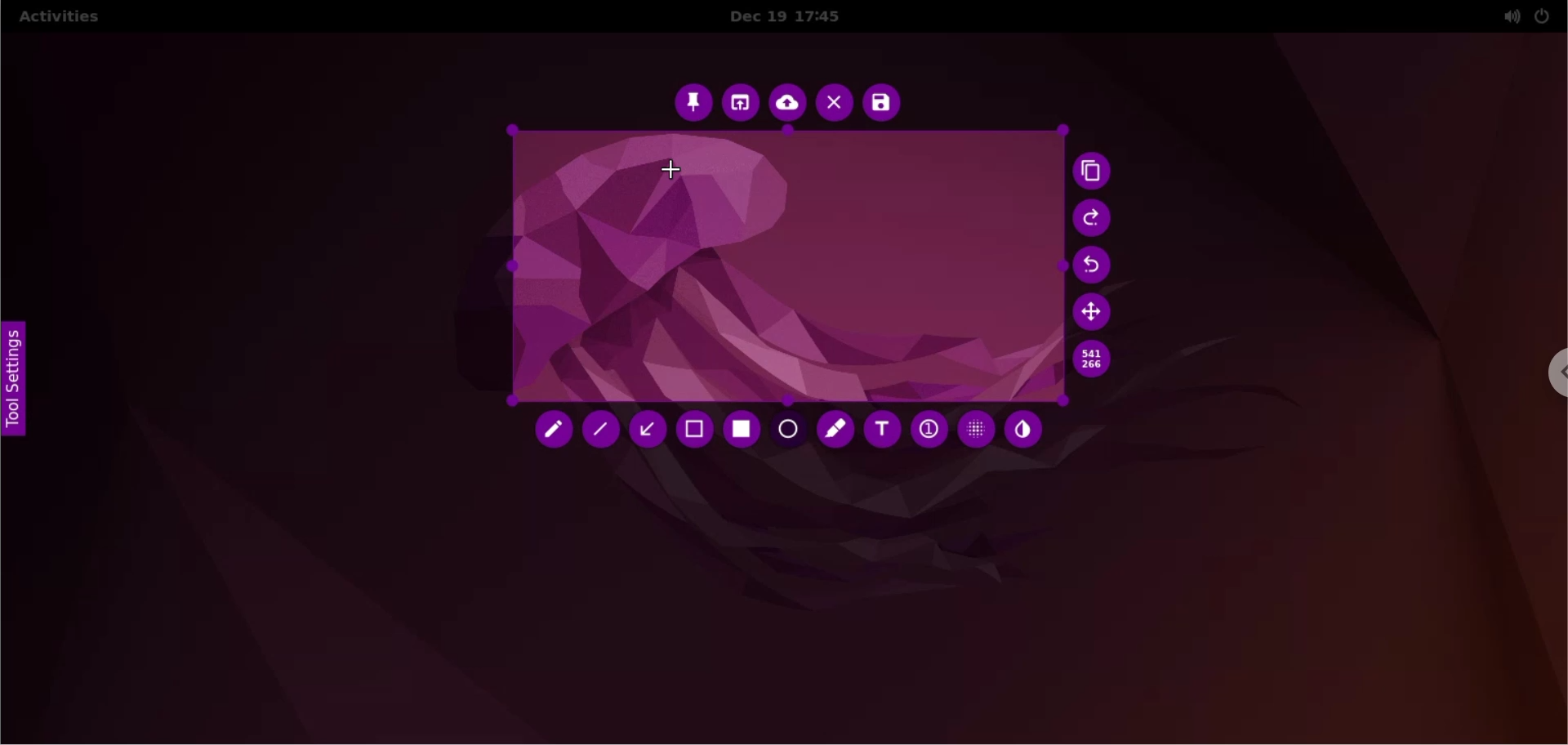  I want to click on redo, so click(1094, 219).